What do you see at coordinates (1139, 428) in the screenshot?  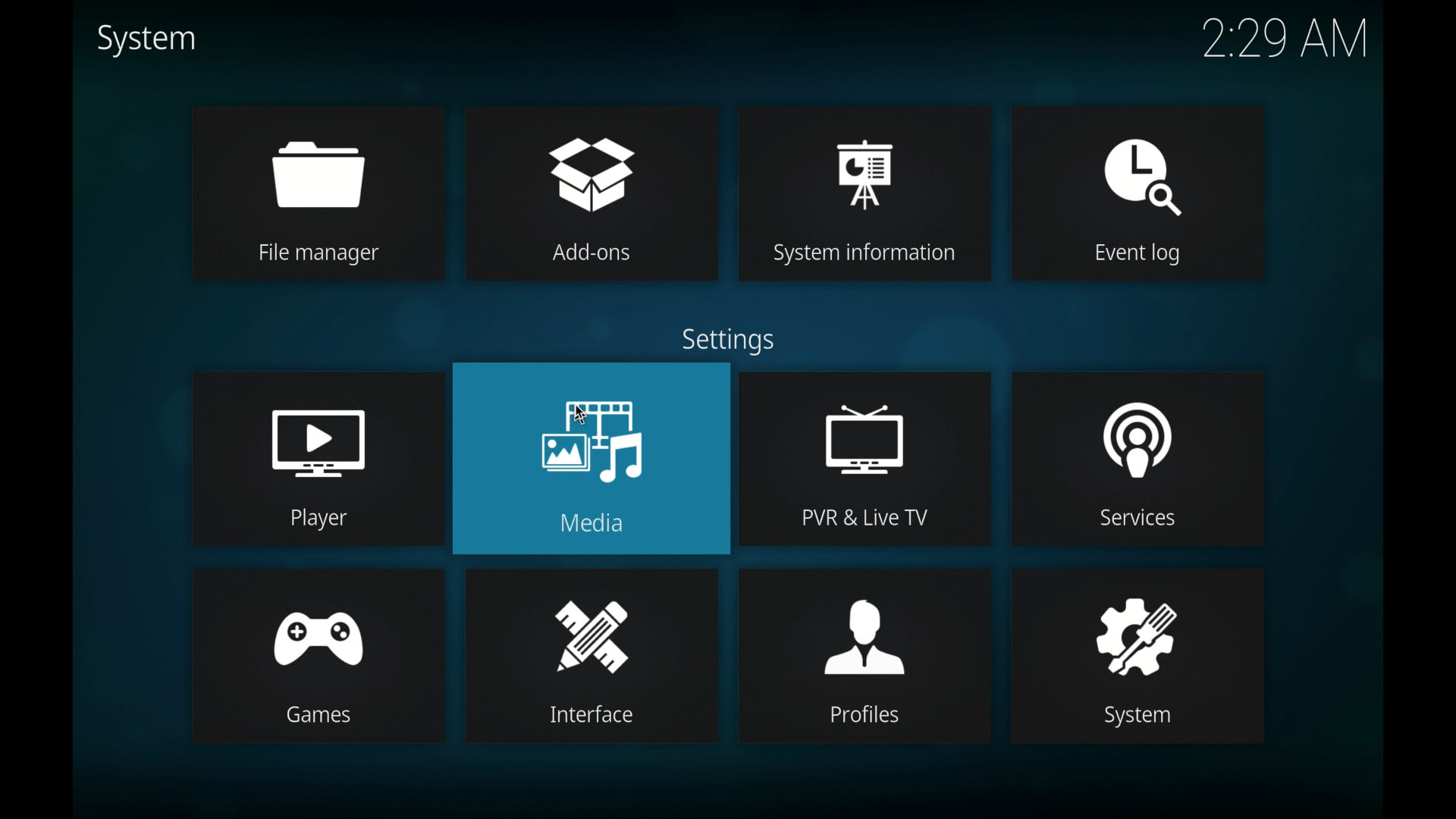 I see `services` at bounding box center [1139, 428].